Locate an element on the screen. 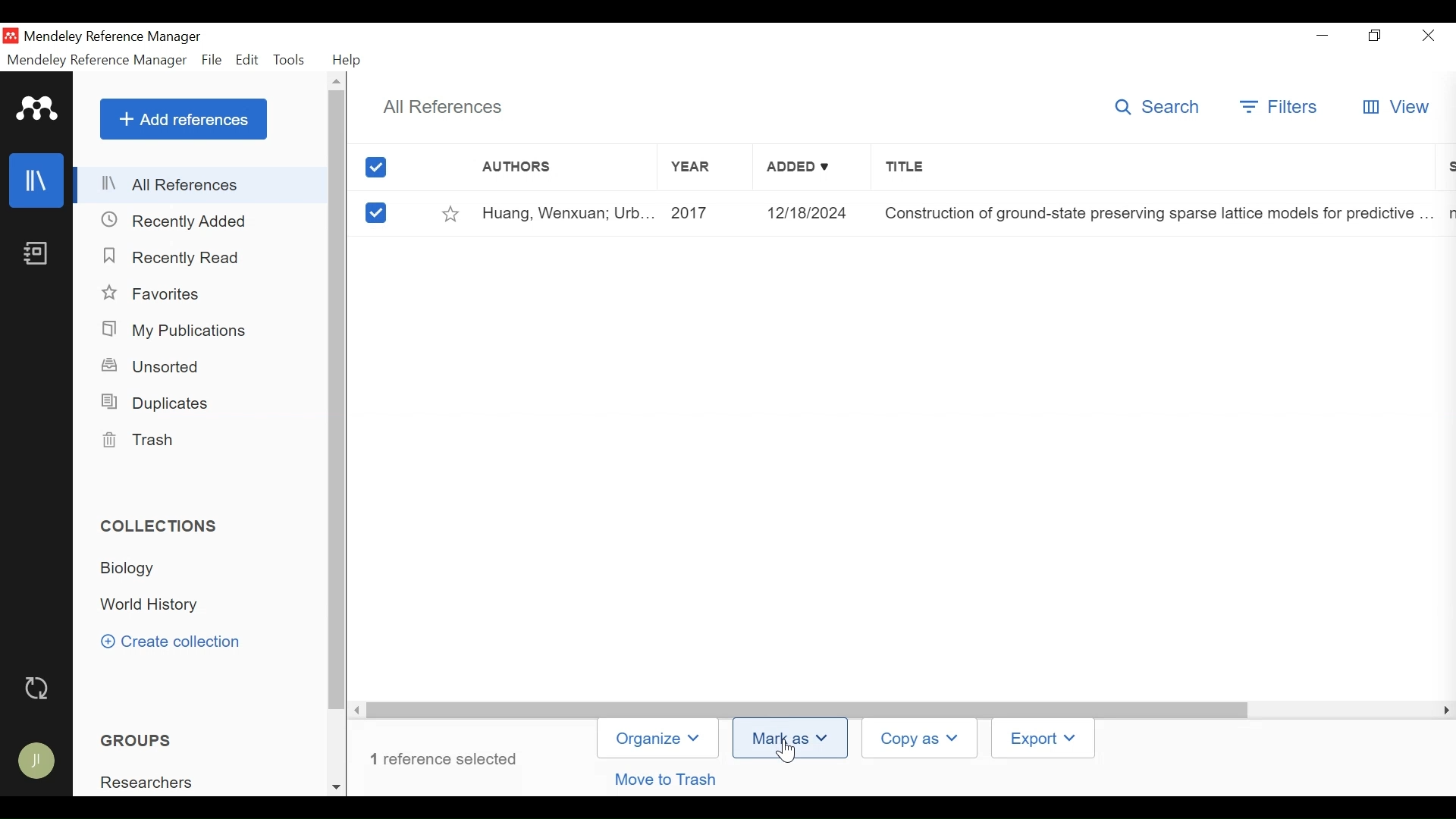  minimize is located at coordinates (1323, 33).